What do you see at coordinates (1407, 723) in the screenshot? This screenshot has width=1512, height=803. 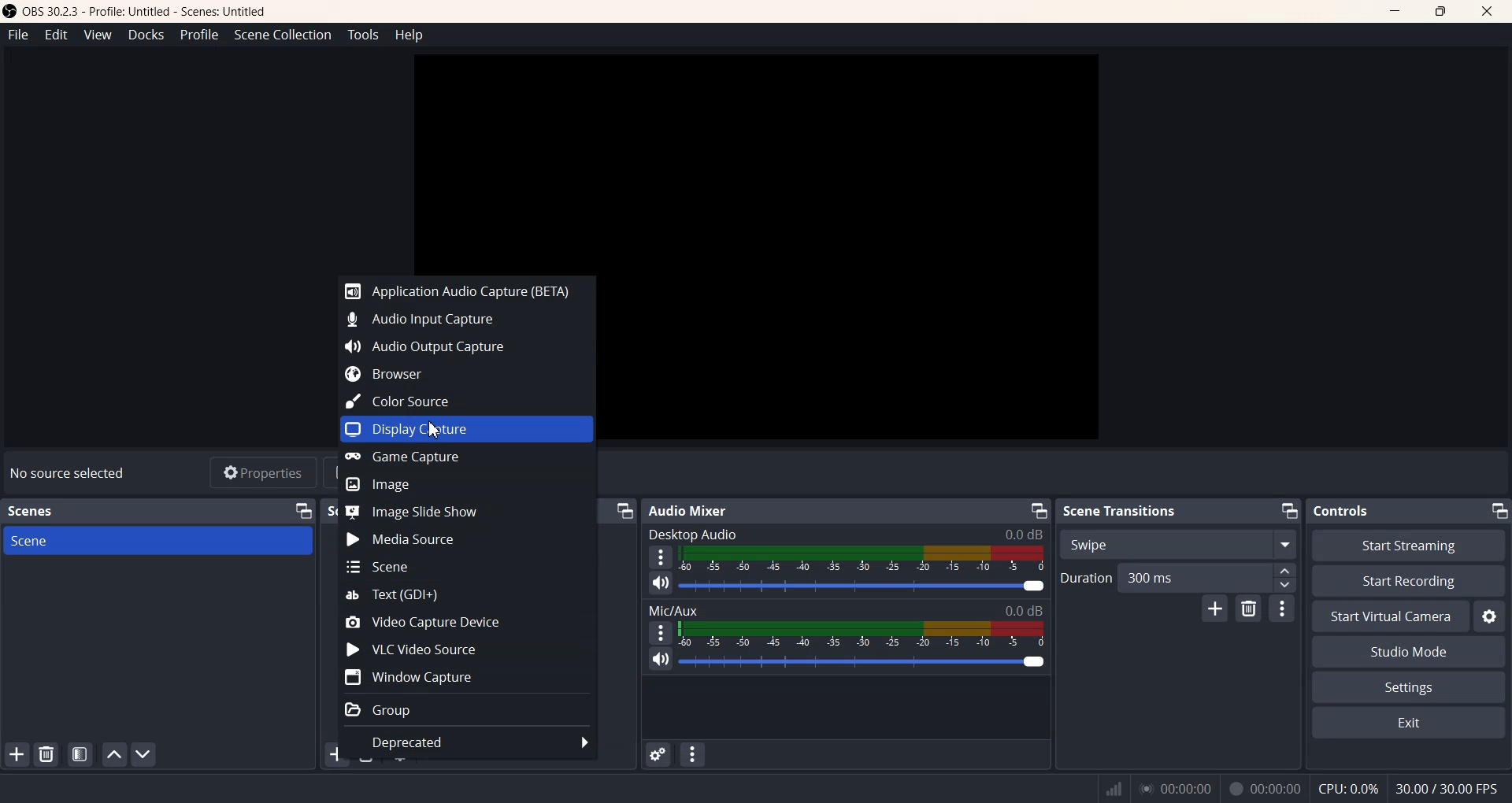 I see `Exit` at bounding box center [1407, 723].